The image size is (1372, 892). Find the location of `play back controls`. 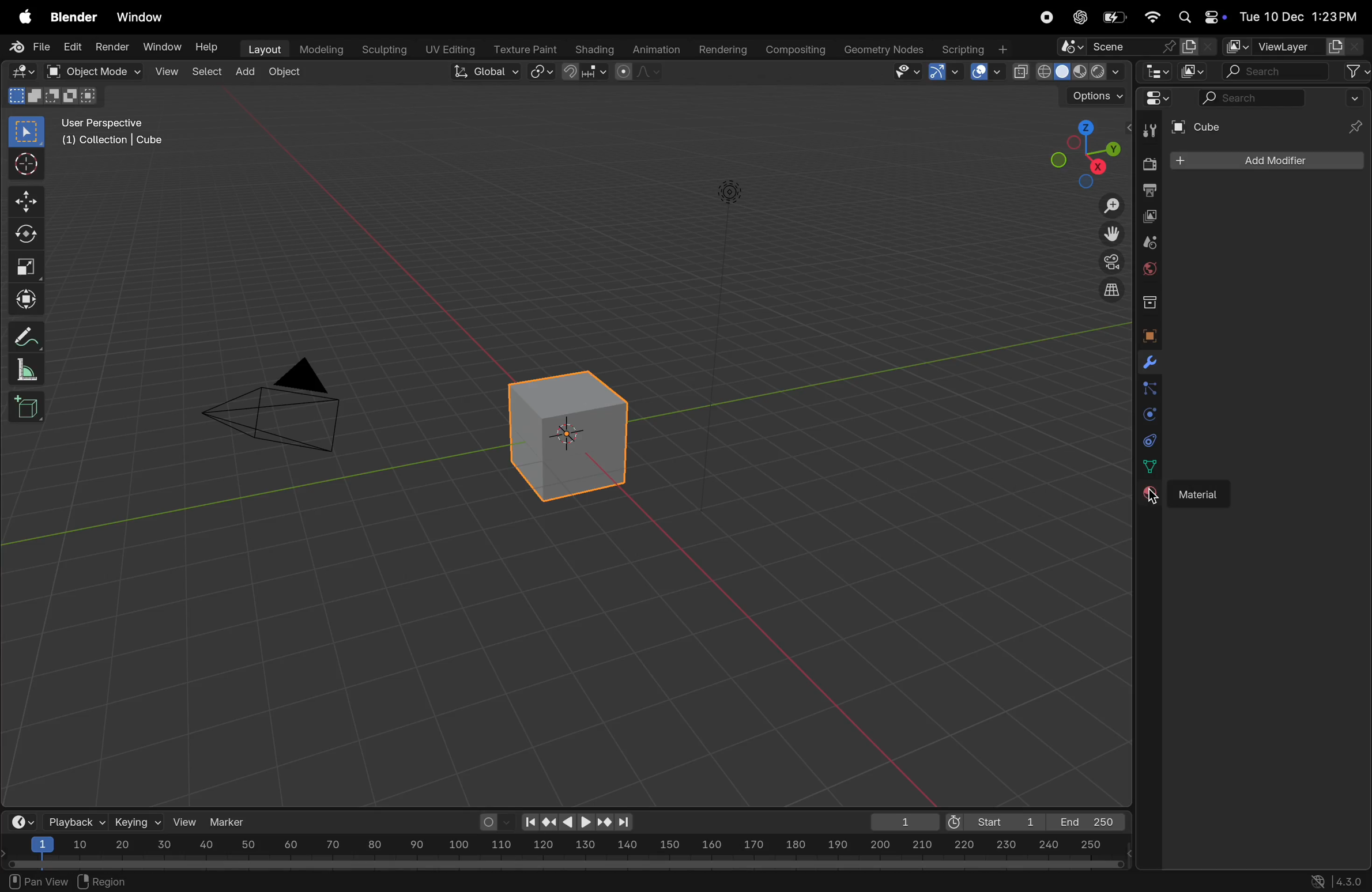

play back controls is located at coordinates (578, 823).